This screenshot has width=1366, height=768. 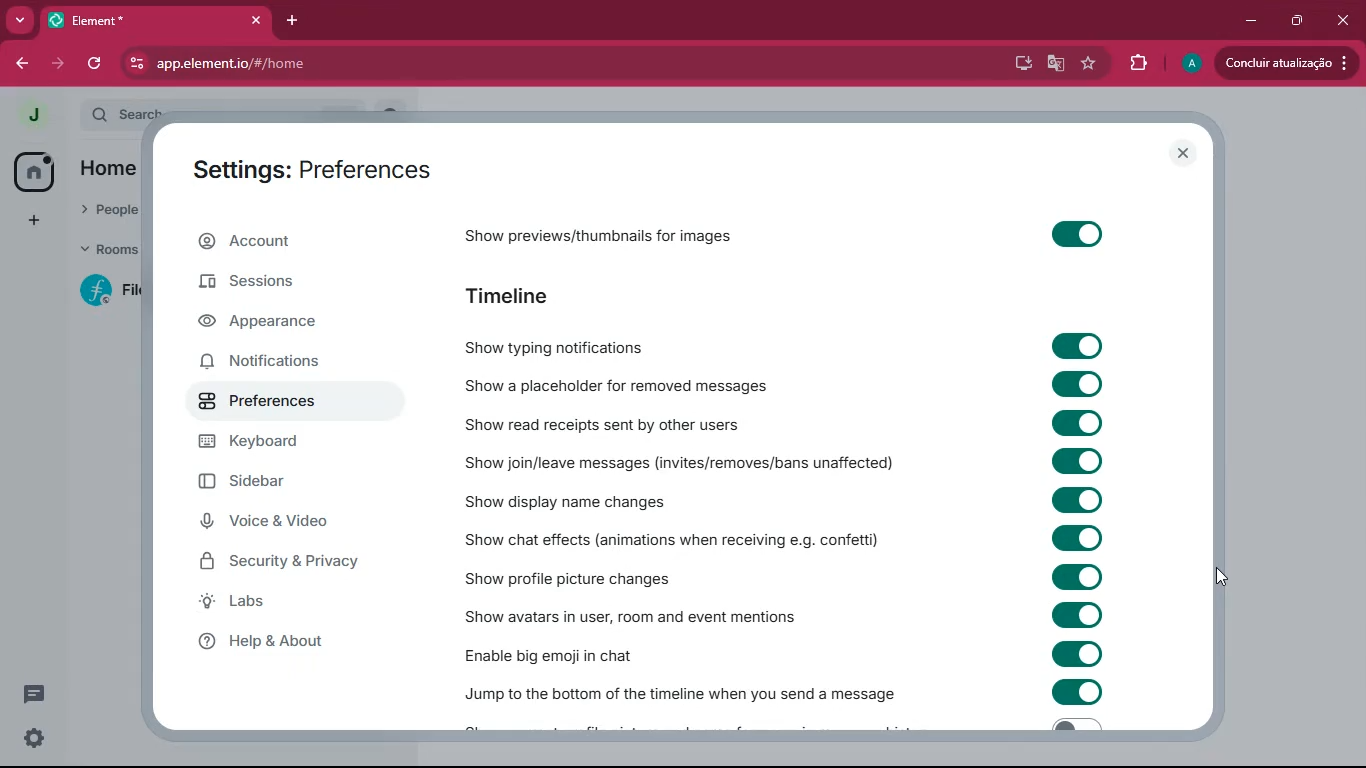 I want to click on add, so click(x=35, y=219).